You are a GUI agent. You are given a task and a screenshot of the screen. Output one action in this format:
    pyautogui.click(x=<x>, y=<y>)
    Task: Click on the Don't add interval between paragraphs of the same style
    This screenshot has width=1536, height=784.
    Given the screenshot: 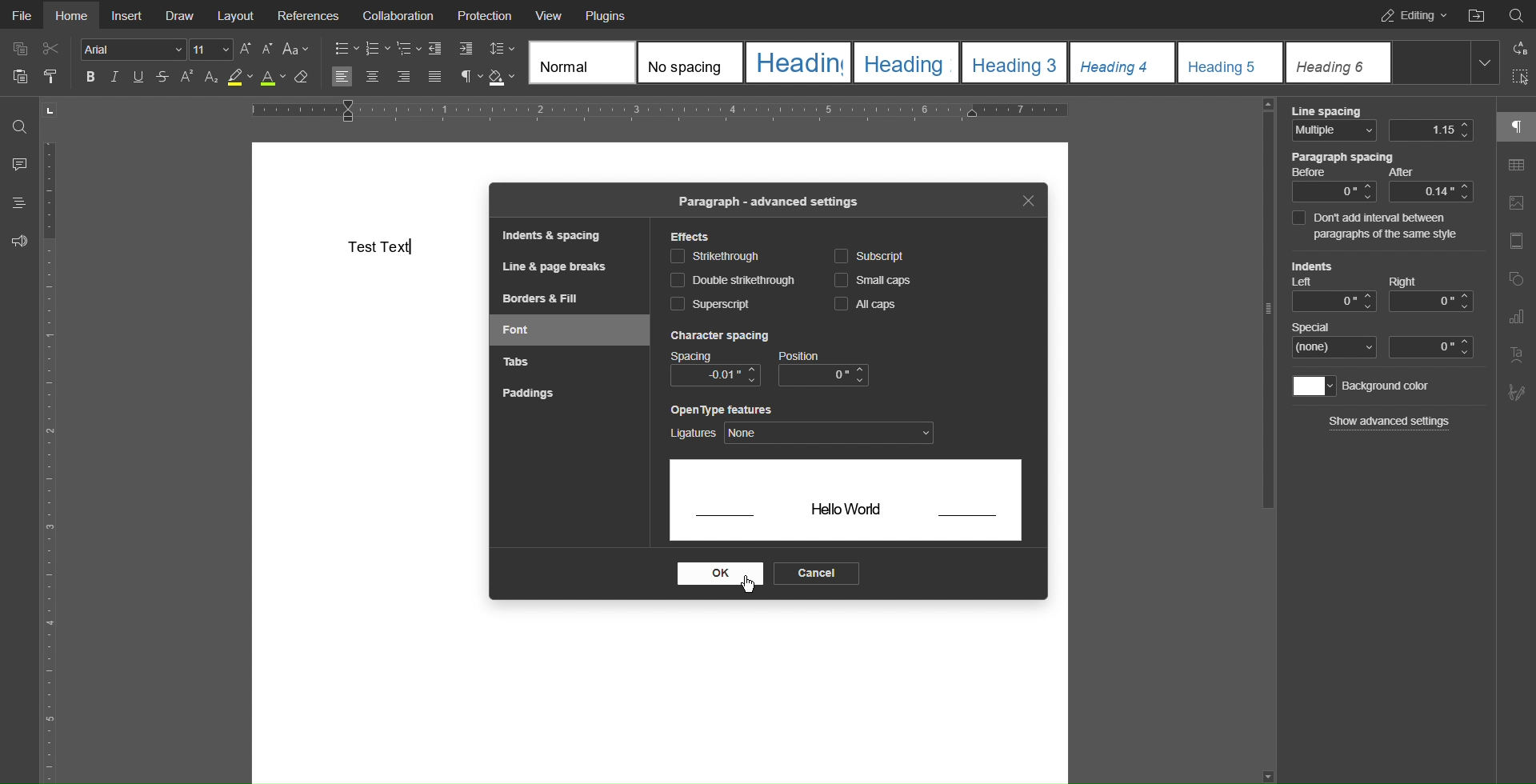 What is the action you would take?
    pyautogui.click(x=1382, y=226)
    